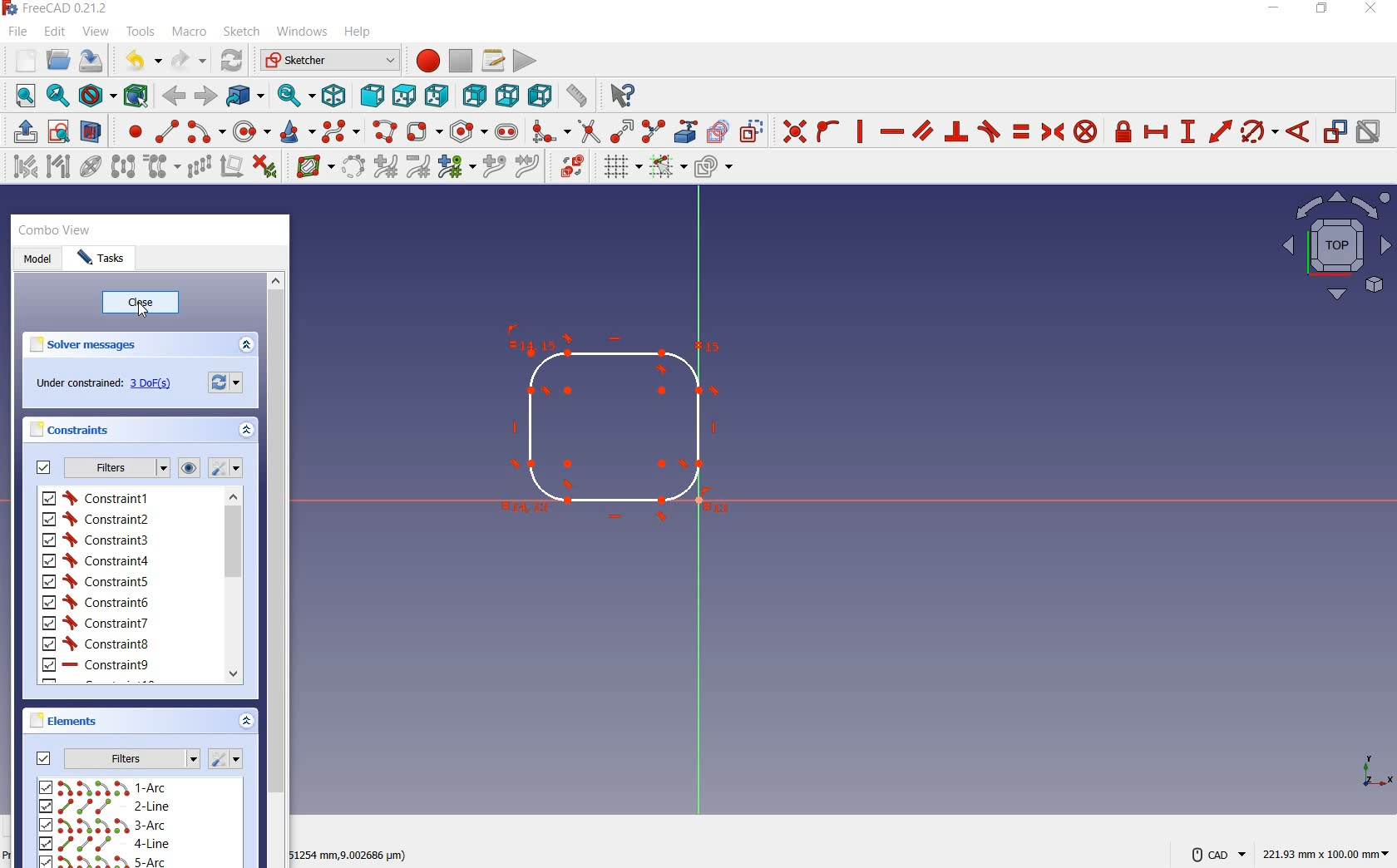 Image resolution: width=1397 pixels, height=868 pixels. Describe the element at coordinates (91, 133) in the screenshot. I see `view section` at that location.